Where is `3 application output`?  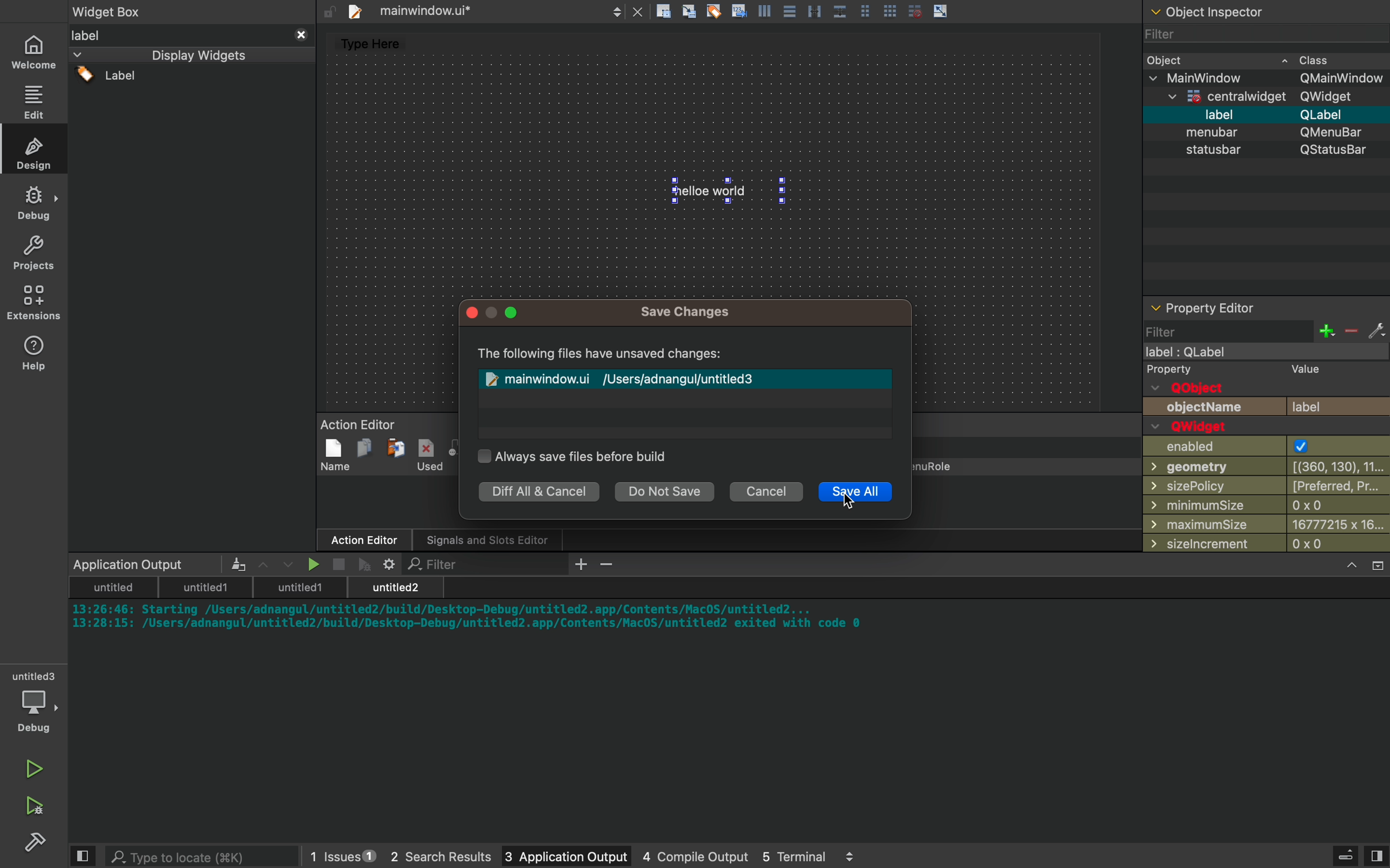
3 application output is located at coordinates (550, 857).